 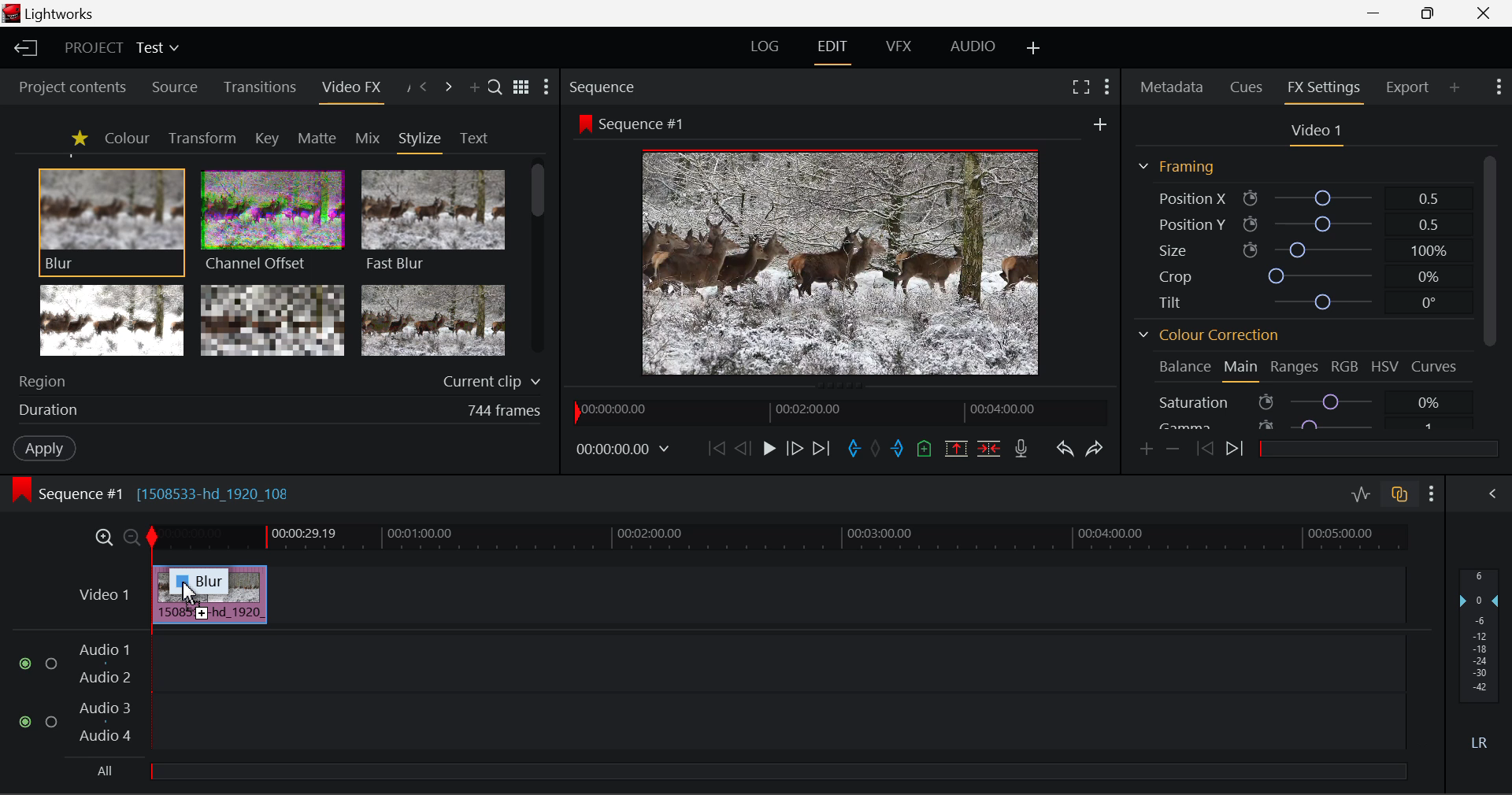 I want to click on Toggle list & title view, so click(x=521, y=89).